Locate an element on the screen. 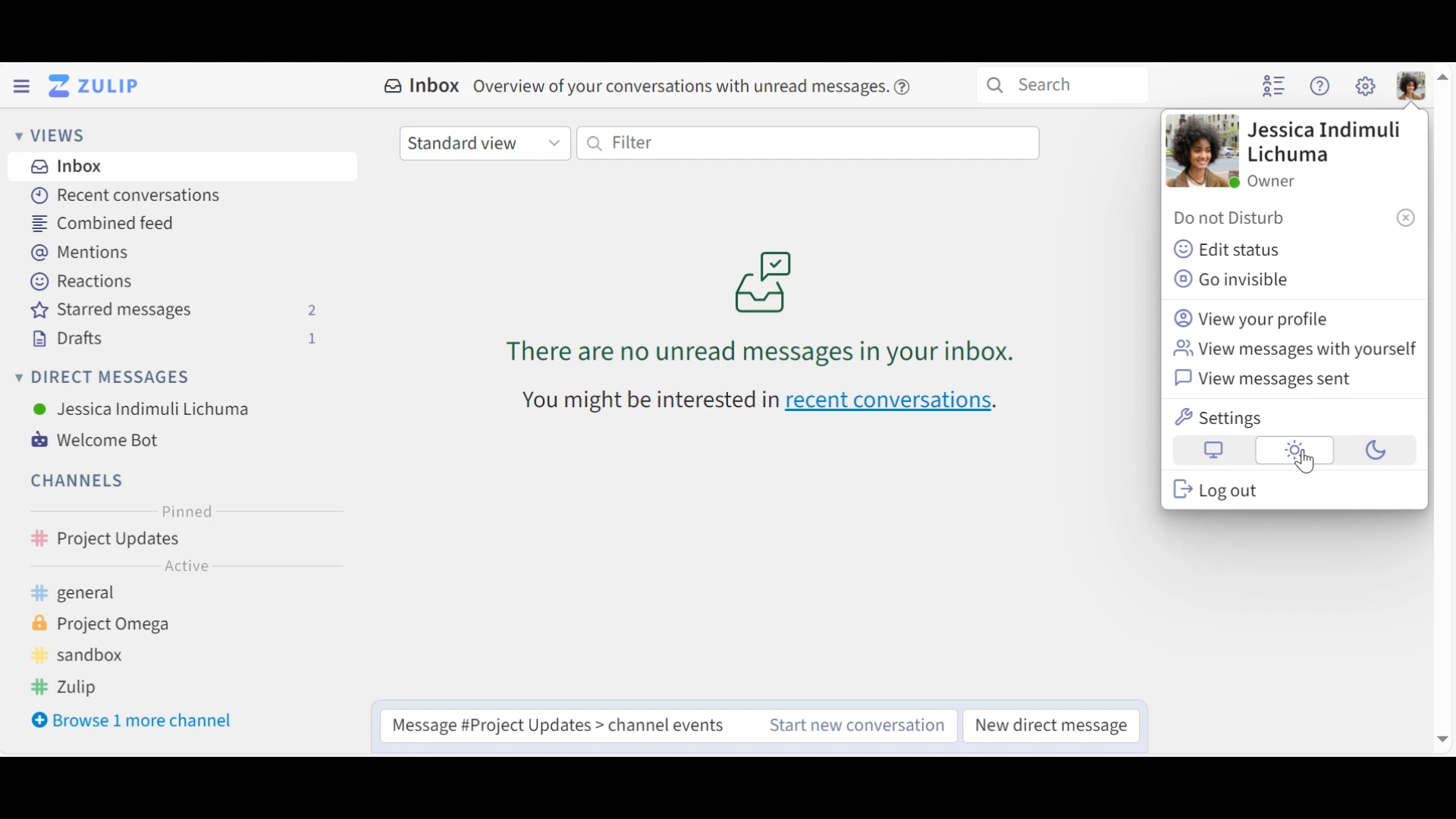 Image resolution: width=1456 pixels, height=819 pixels. general is located at coordinates (95, 595).